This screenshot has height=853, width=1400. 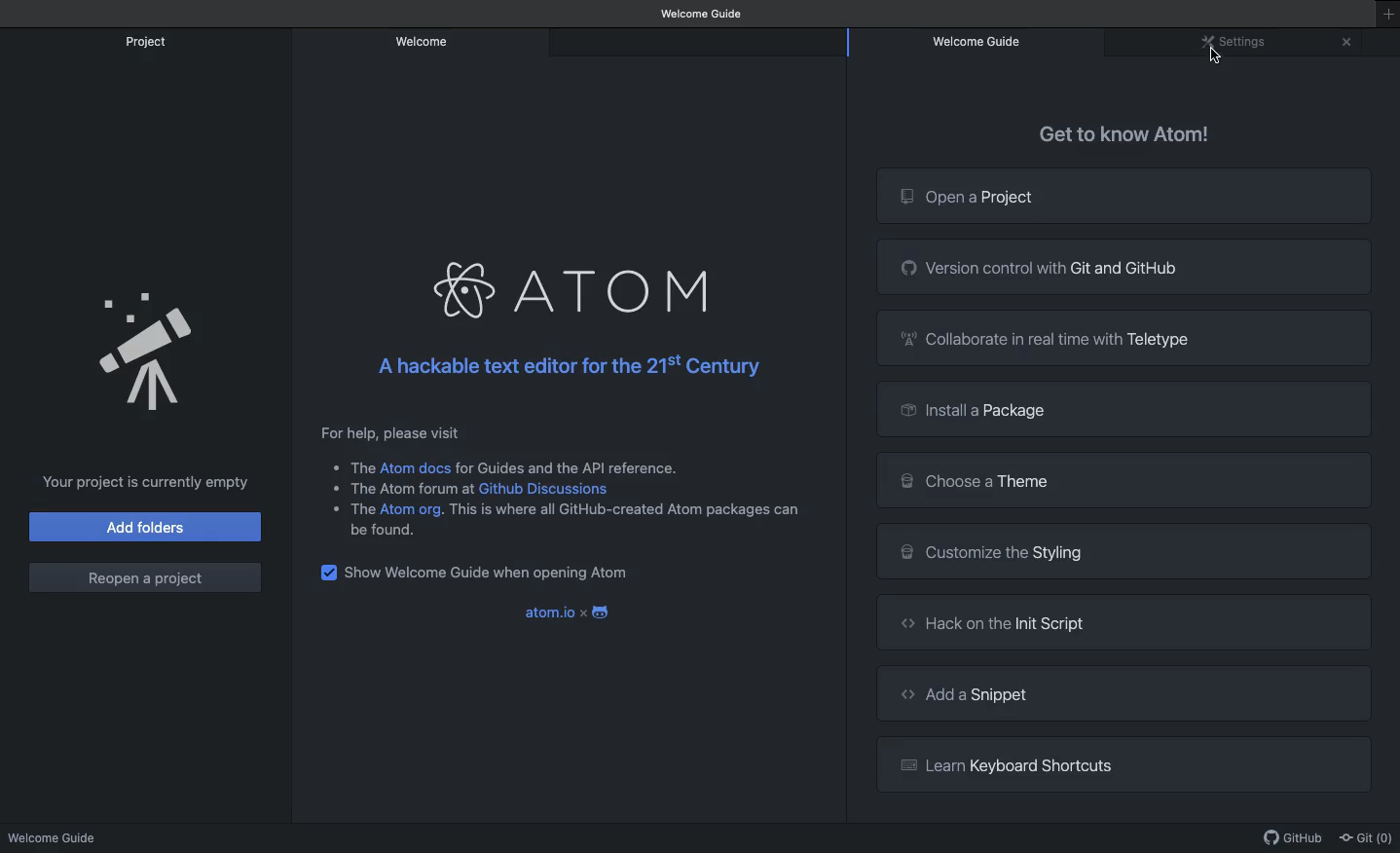 What do you see at coordinates (418, 468) in the screenshot?
I see ` Atom docs` at bounding box center [418, 468].